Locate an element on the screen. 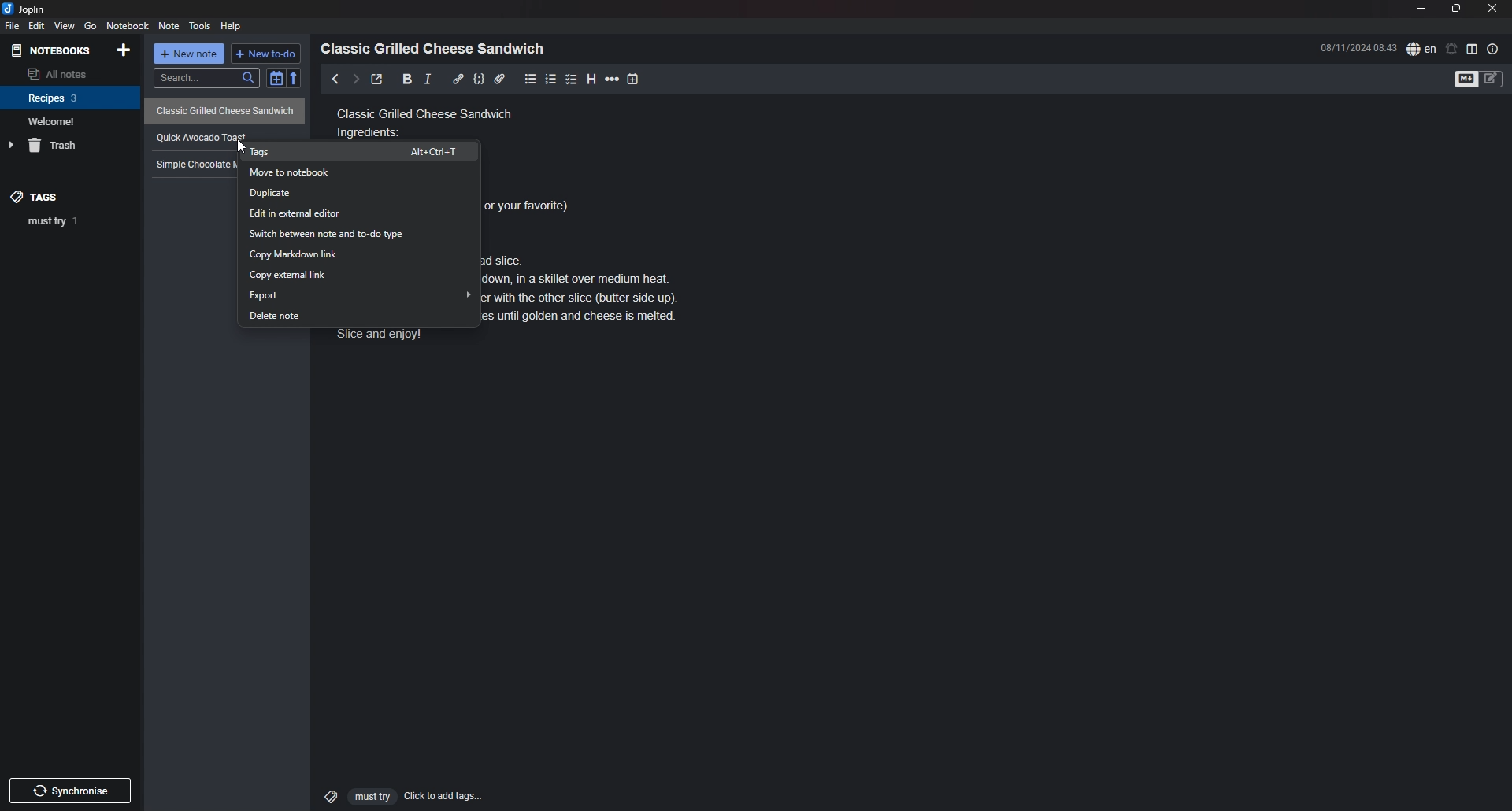  tag is located at coordinates (75, 220).